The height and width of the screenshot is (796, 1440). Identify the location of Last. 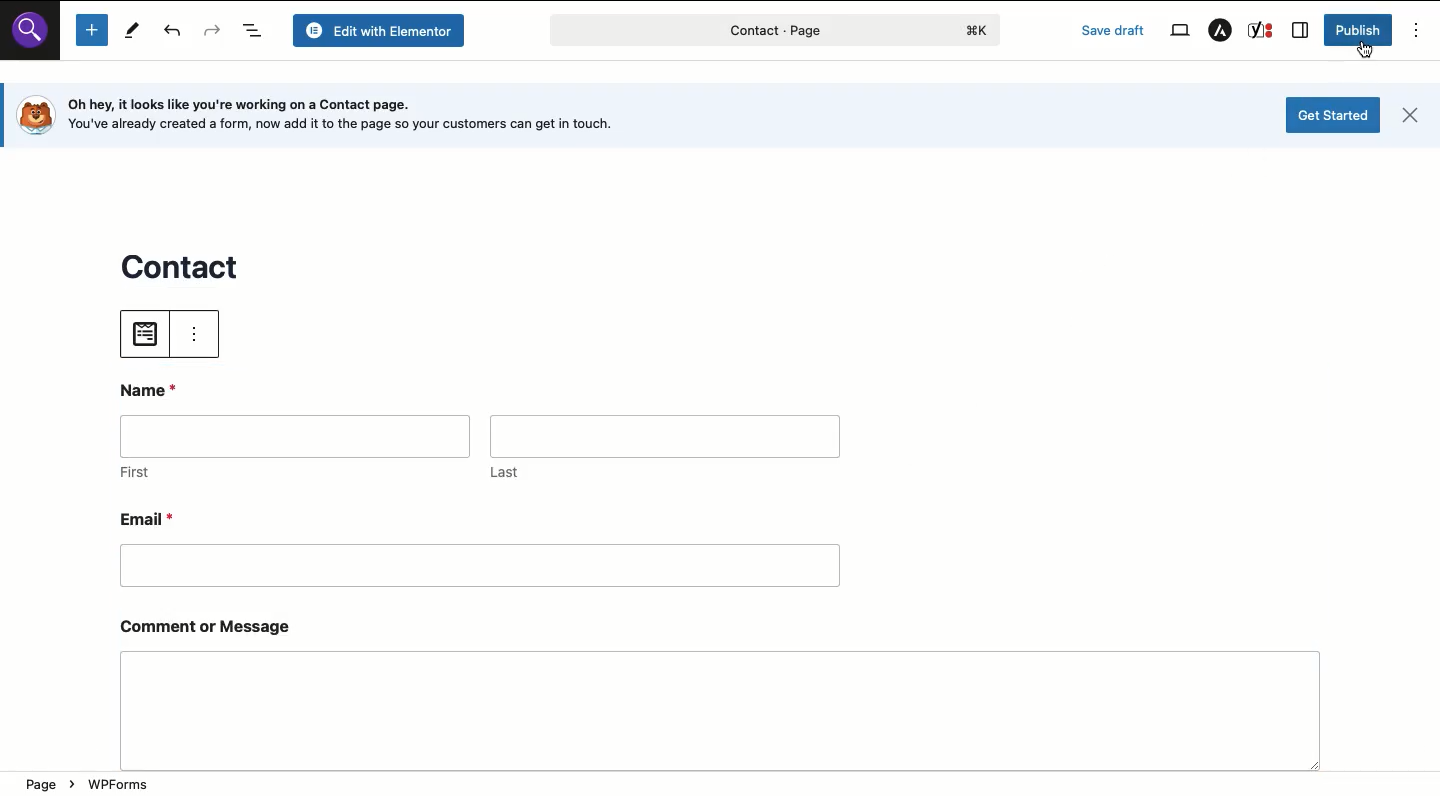
(664, 446).